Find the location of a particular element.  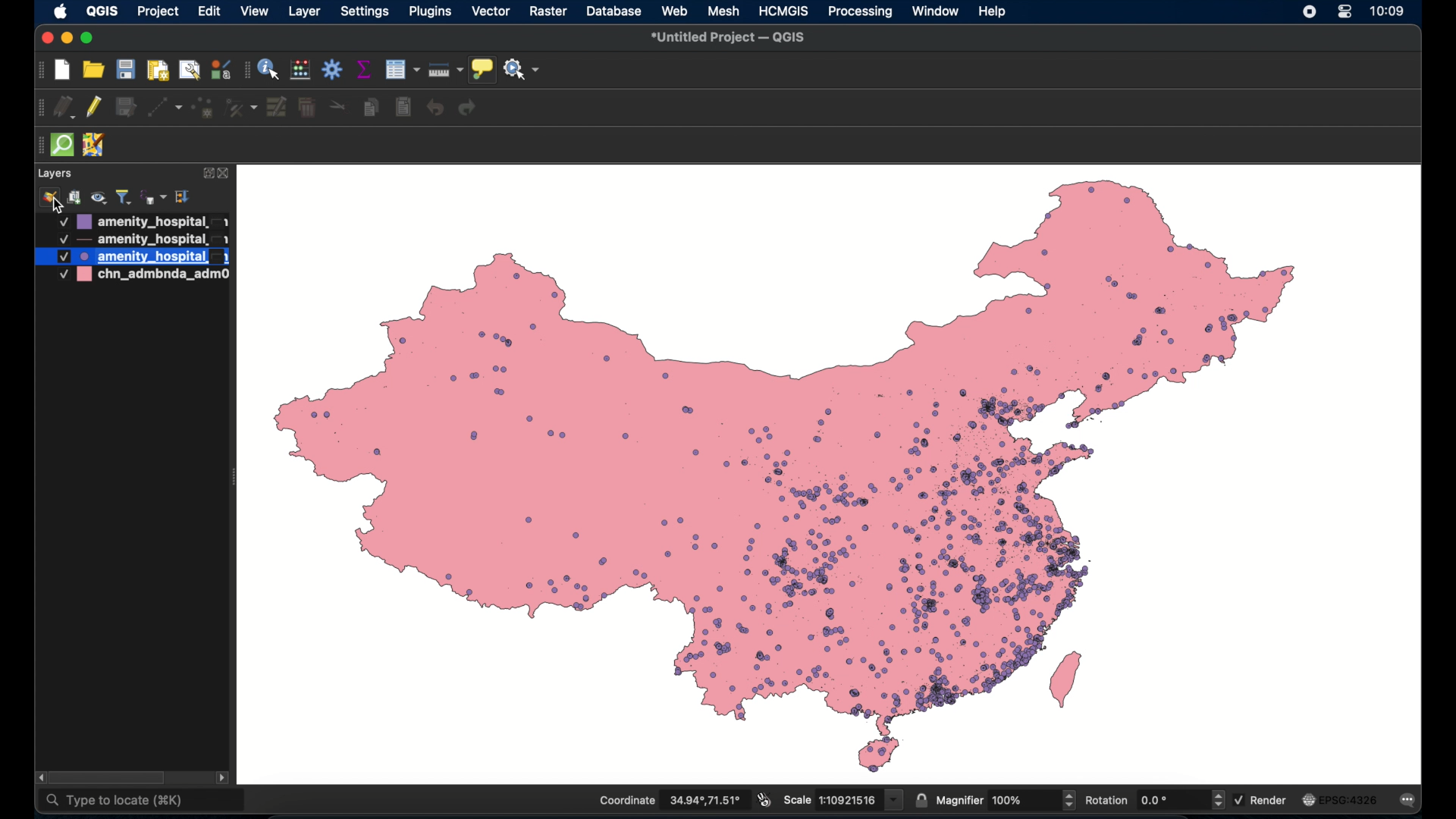

expand all is located at coordinates (184, 197).